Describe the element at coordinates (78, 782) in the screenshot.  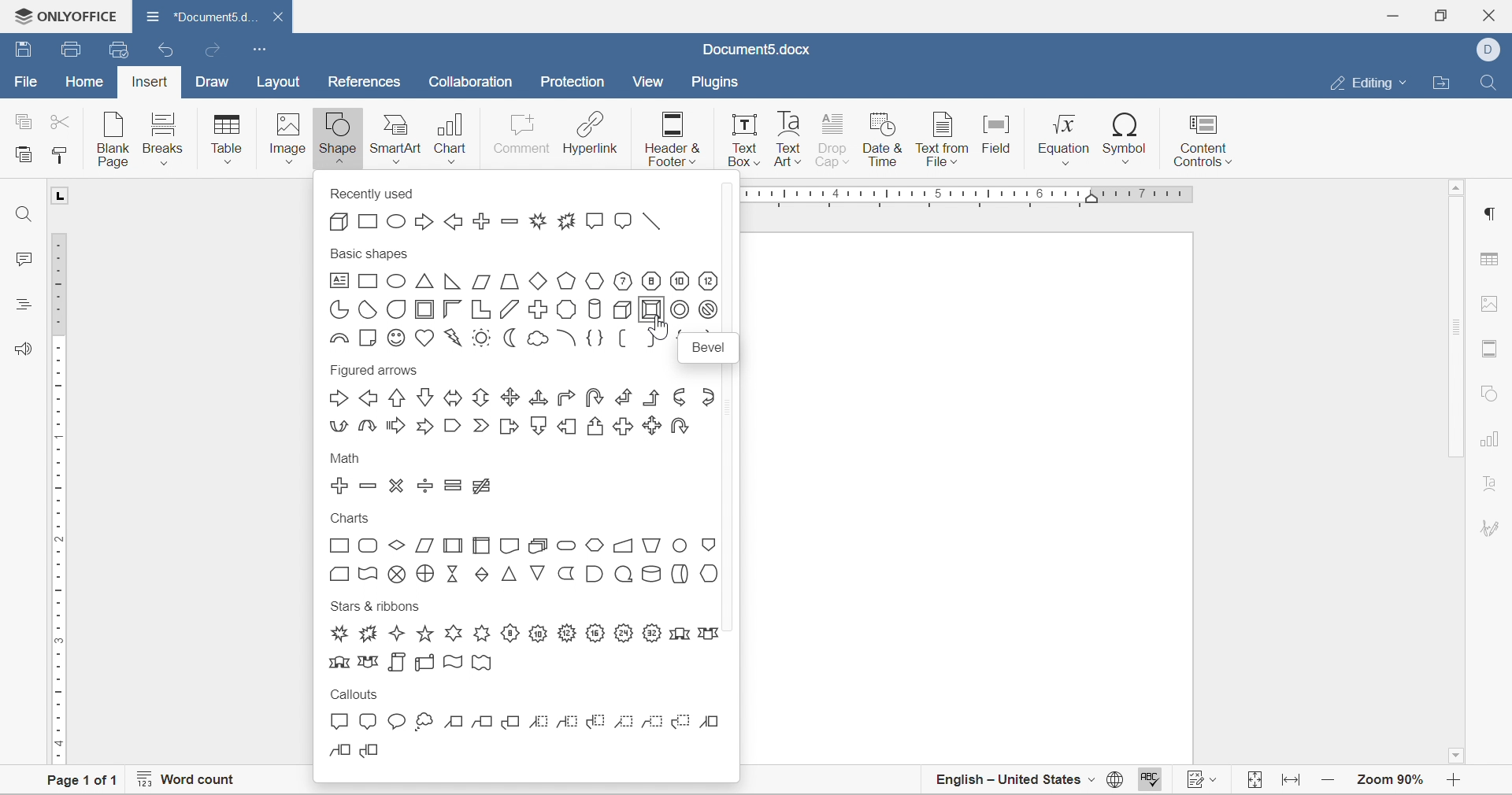
I see `page 1 of 1` at that location.